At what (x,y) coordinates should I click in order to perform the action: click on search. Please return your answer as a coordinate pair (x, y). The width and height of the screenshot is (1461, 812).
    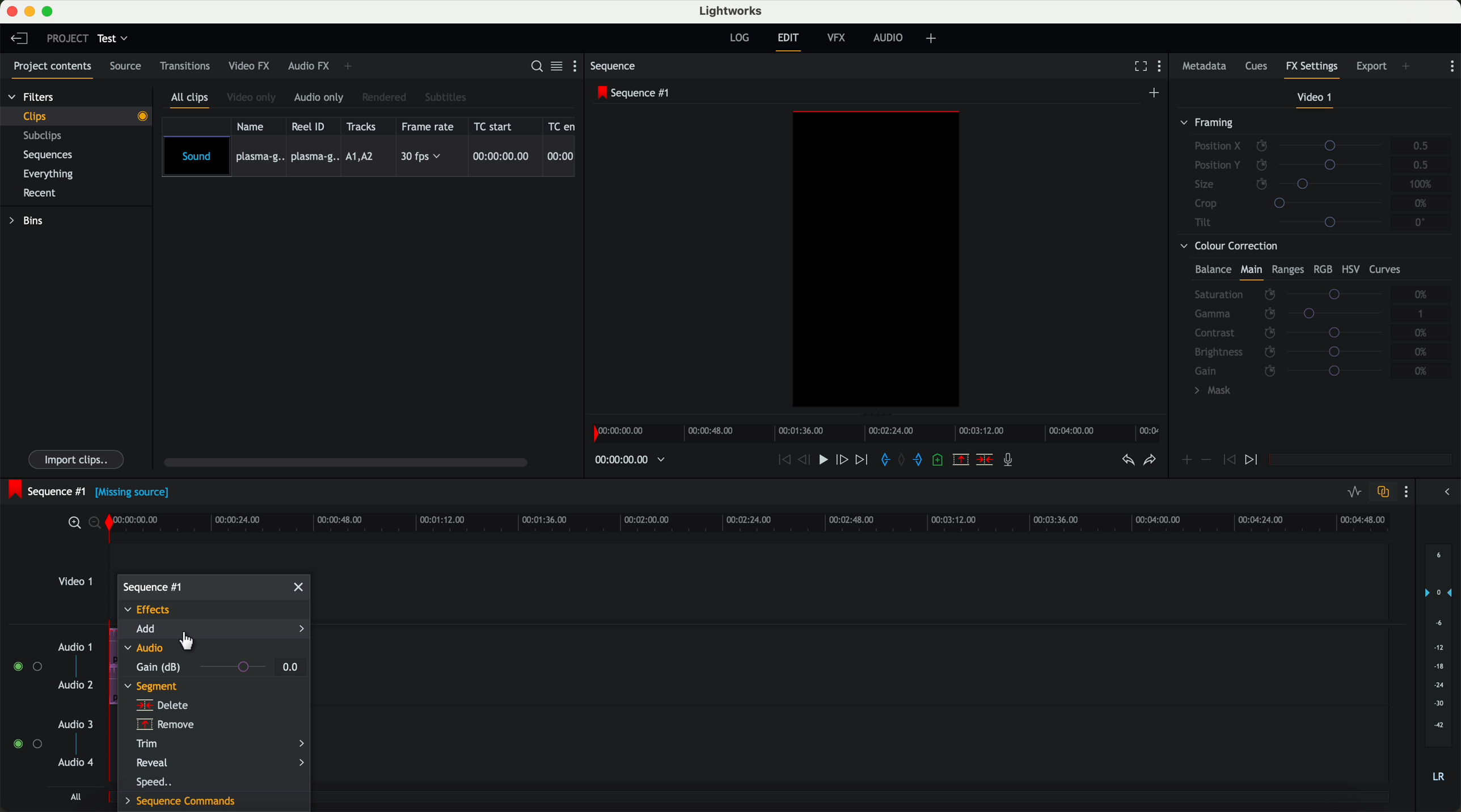
    Looking at the image, I should click on (535, 67).